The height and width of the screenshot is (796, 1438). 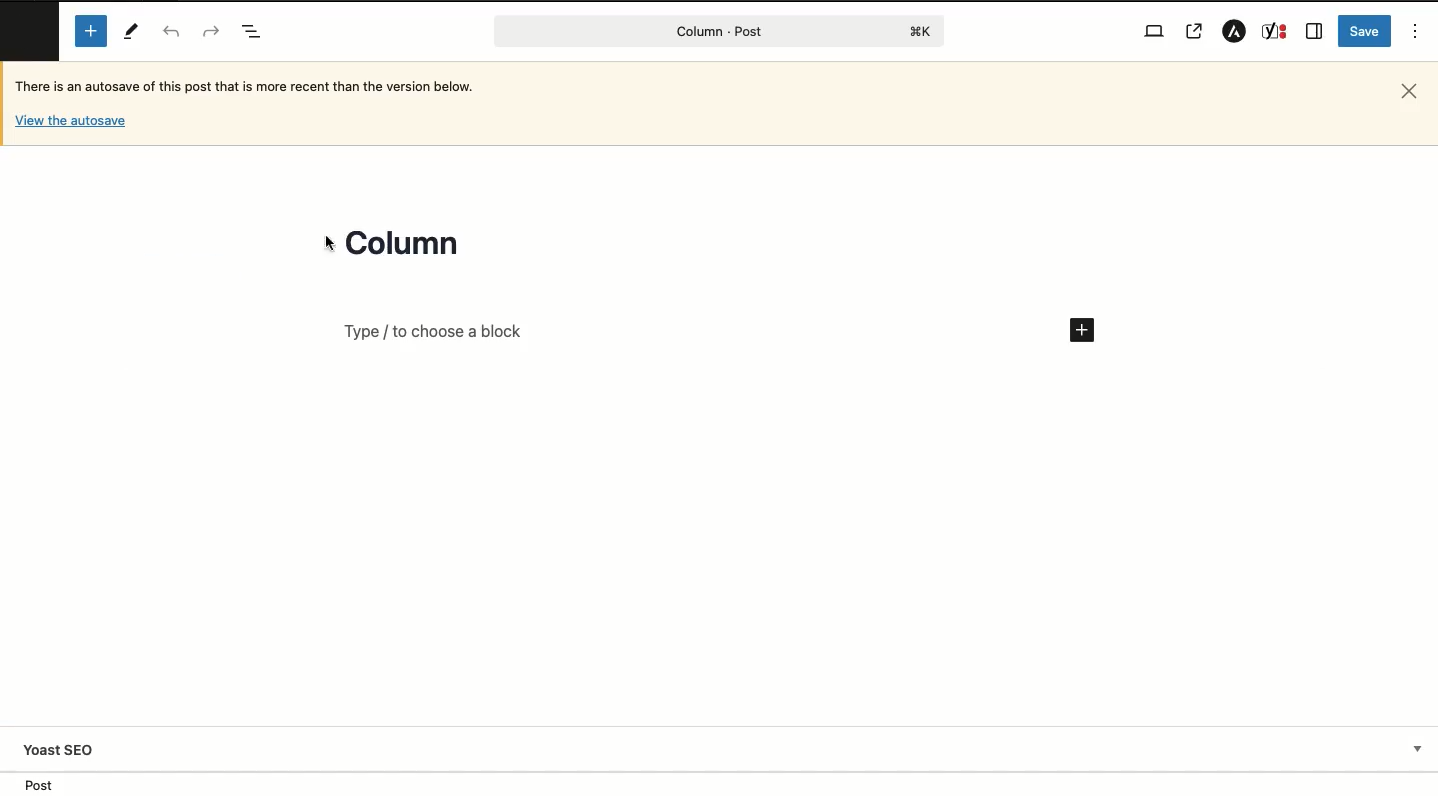 I want to click on View post, so click(x=1195, y=33).